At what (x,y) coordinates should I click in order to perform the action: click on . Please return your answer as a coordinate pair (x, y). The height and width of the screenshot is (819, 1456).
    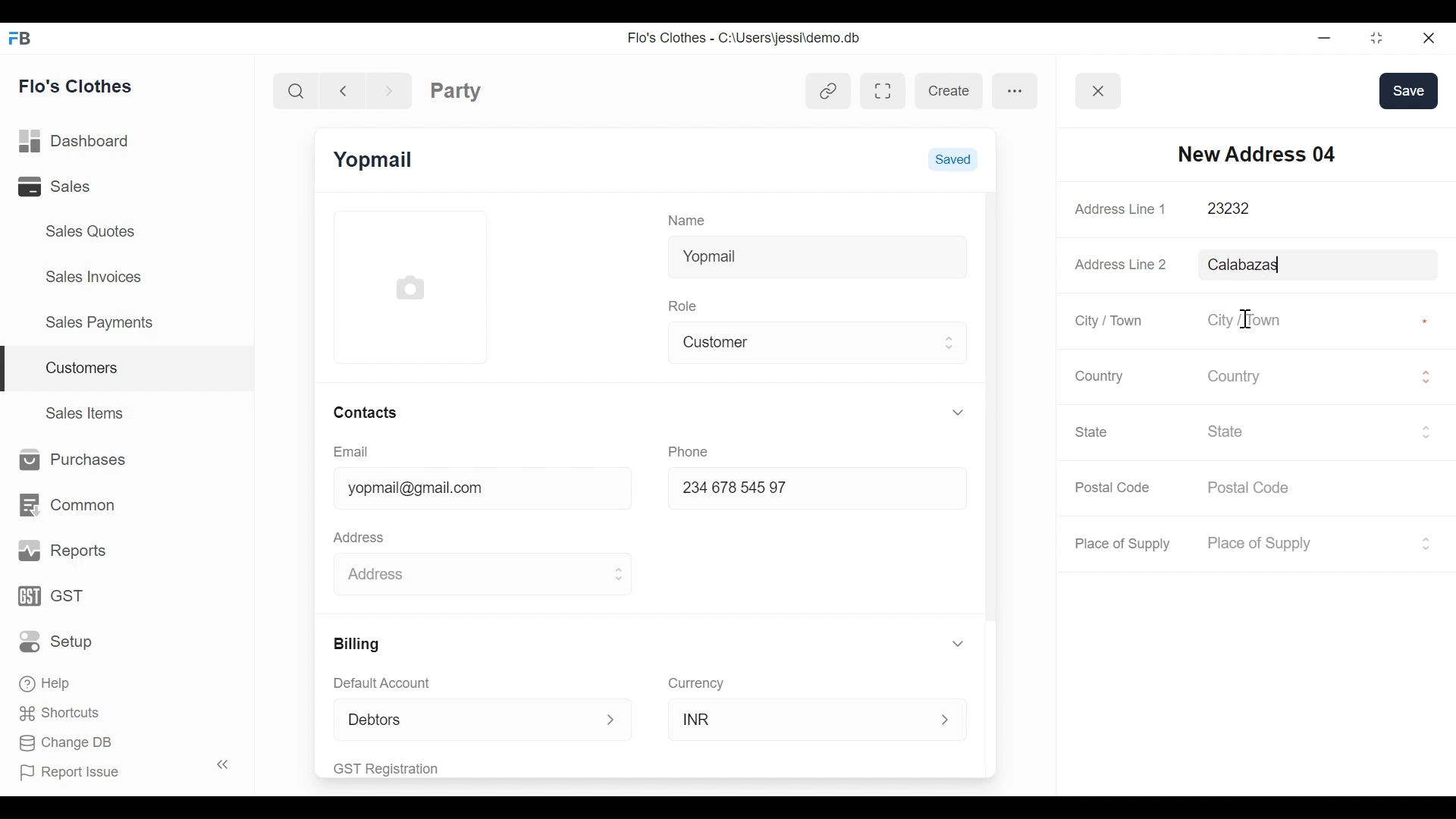
    Looking at the image, I should click on (1099, 91).